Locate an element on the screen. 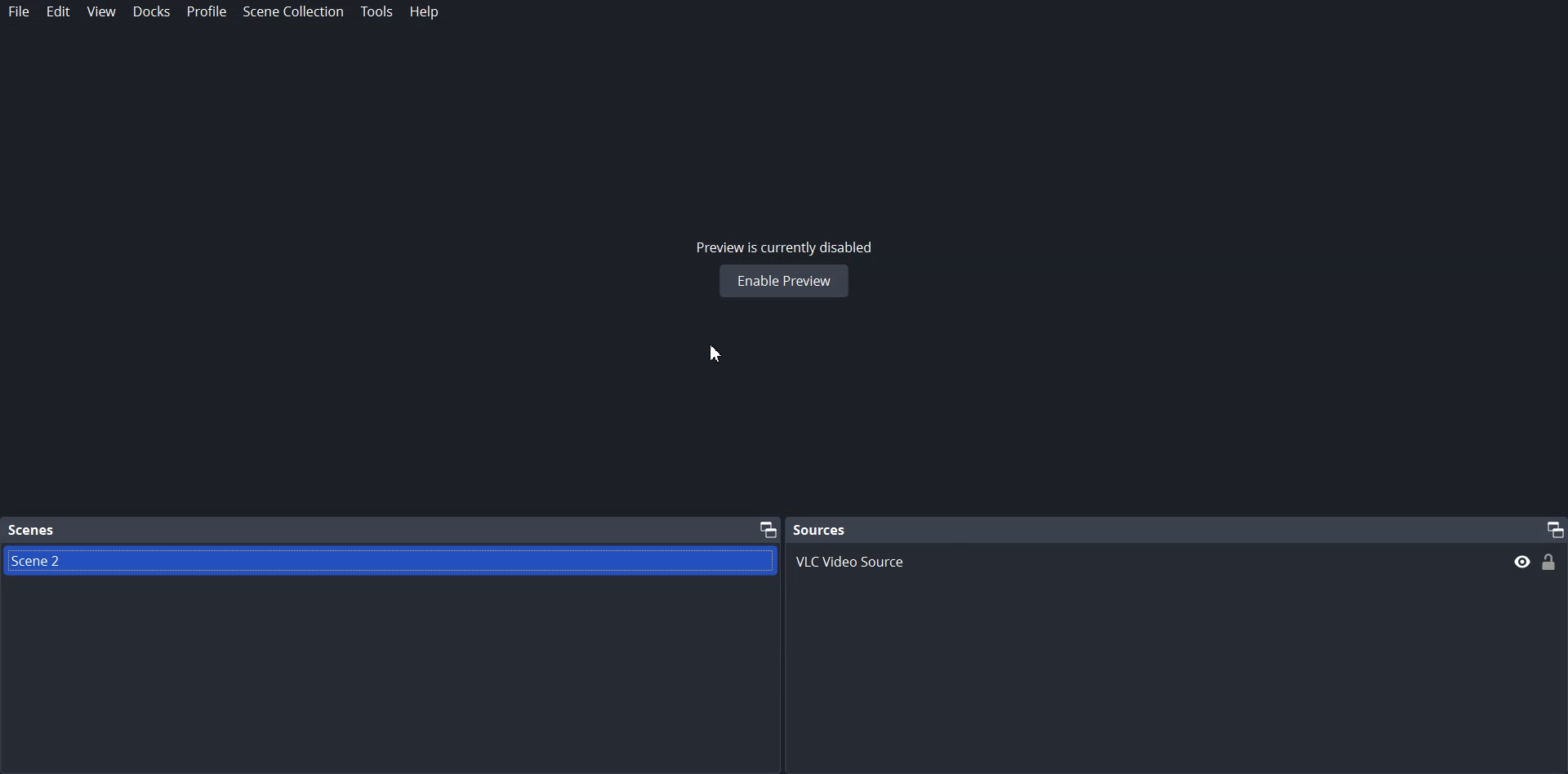 This screenshot has height=774, width=1568. Maximize is located at coordinates (764, 530).